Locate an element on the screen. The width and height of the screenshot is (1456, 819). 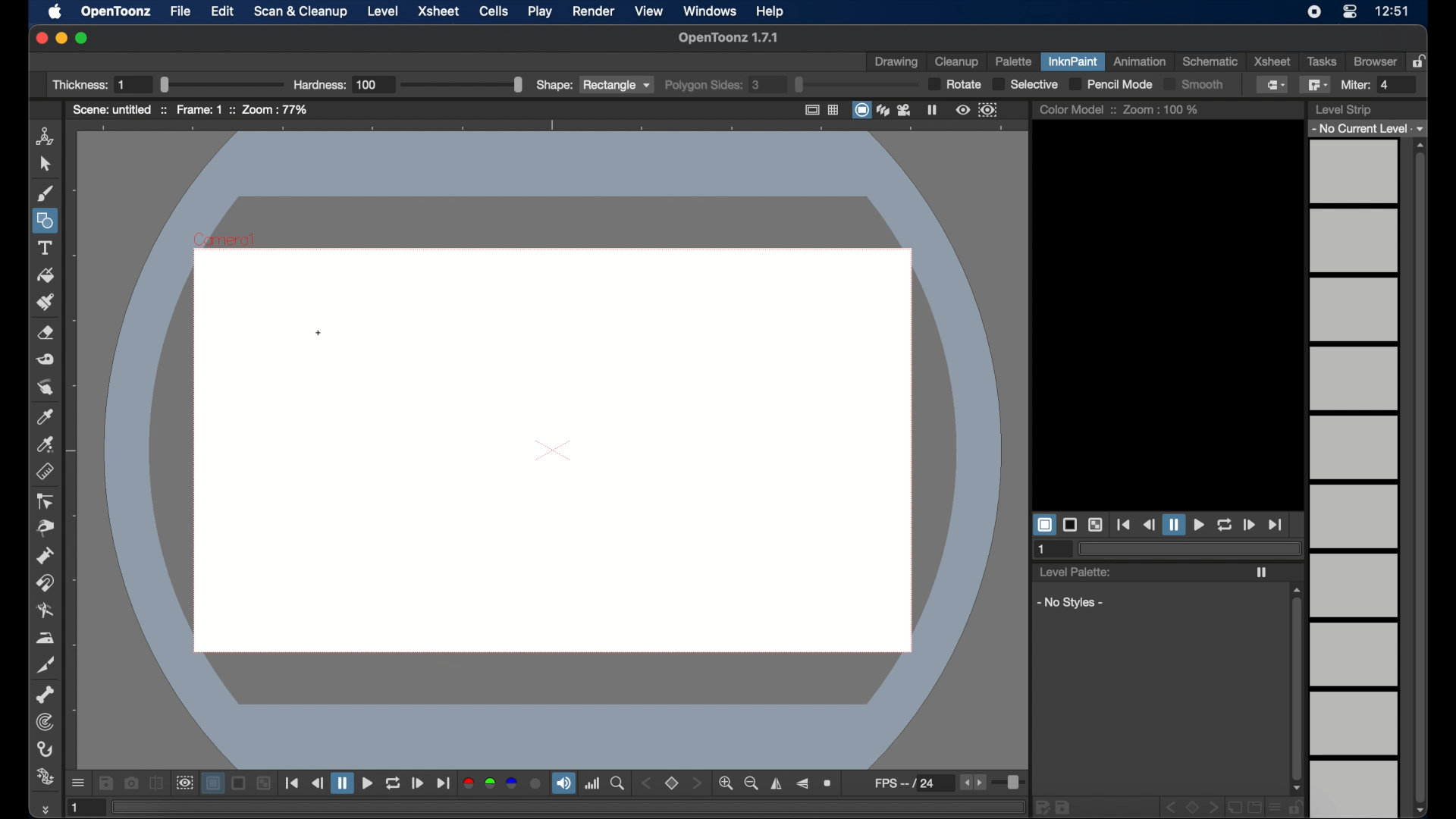
ontrol point editor tool is located at coordinates (45, 501).